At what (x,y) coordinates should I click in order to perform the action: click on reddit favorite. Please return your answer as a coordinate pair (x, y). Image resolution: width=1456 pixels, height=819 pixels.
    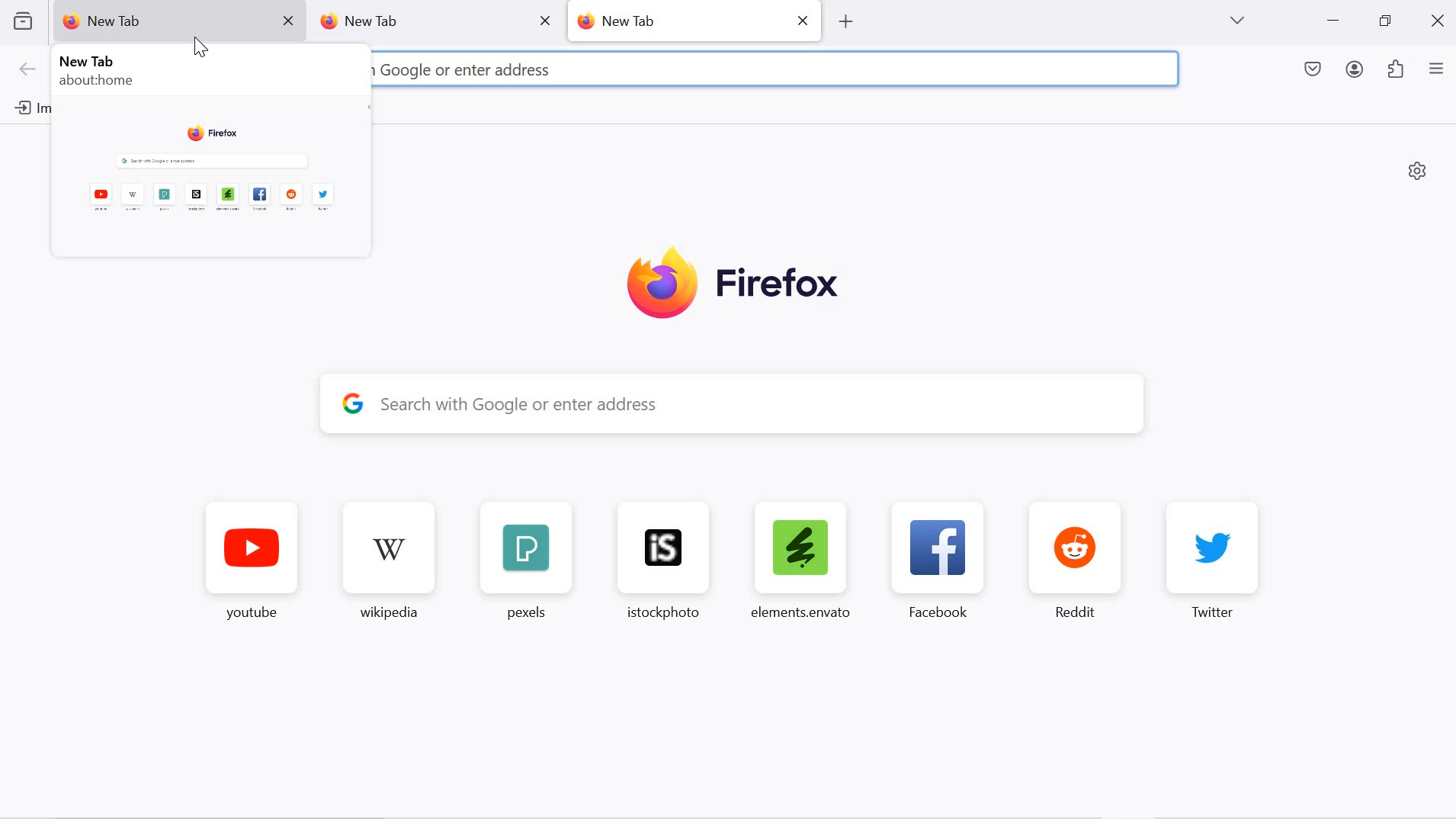
    Looking at the image, I should click on (1082, 560).